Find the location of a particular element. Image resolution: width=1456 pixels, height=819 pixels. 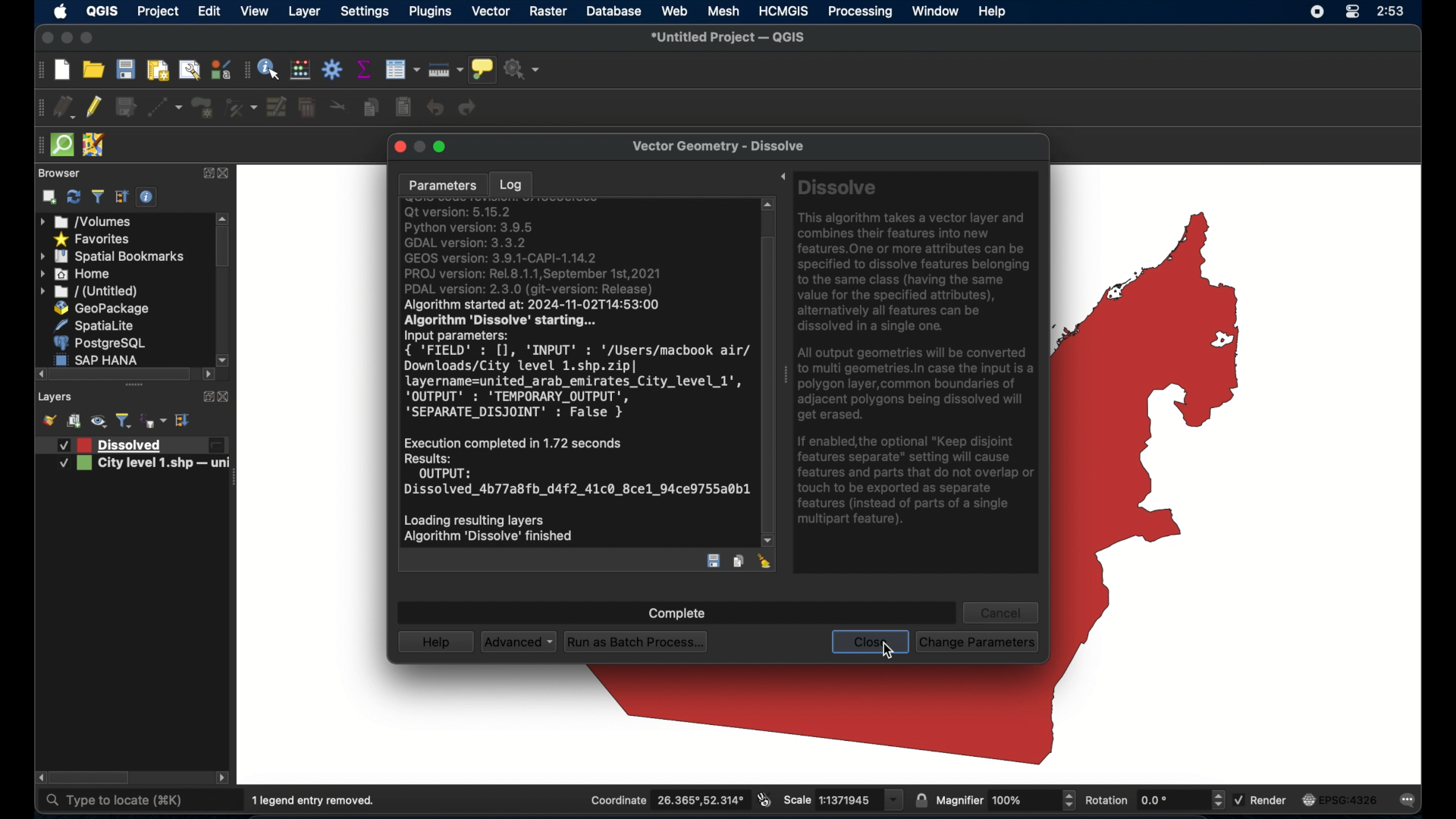

edit is located at coordinates (209, 11).